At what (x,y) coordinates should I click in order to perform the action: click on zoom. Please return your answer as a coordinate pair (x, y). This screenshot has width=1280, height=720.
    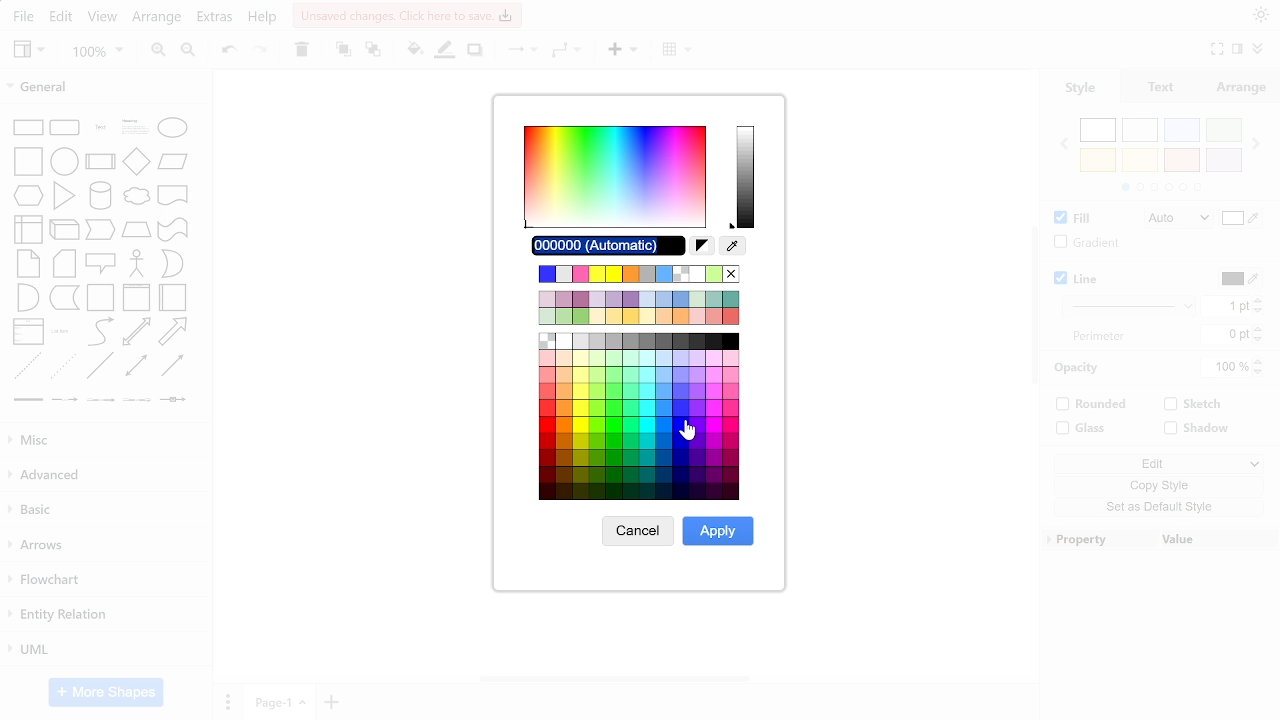
    Looking at the image, I should click on (97, 53).